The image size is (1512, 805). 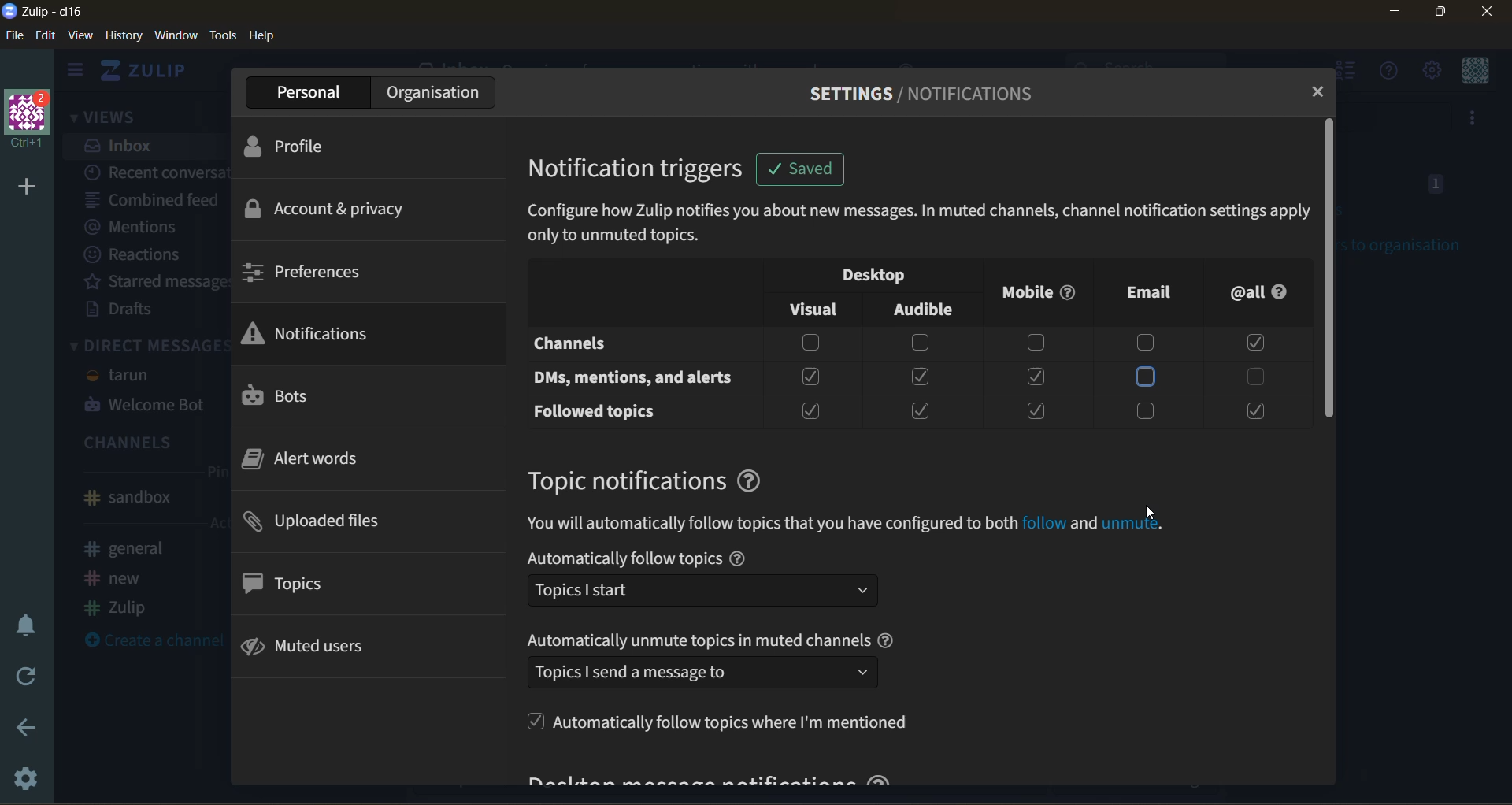 What do you see at coordinates (46, 36) in the screenshot?
I see `edit` at bounding box center [46, 36].